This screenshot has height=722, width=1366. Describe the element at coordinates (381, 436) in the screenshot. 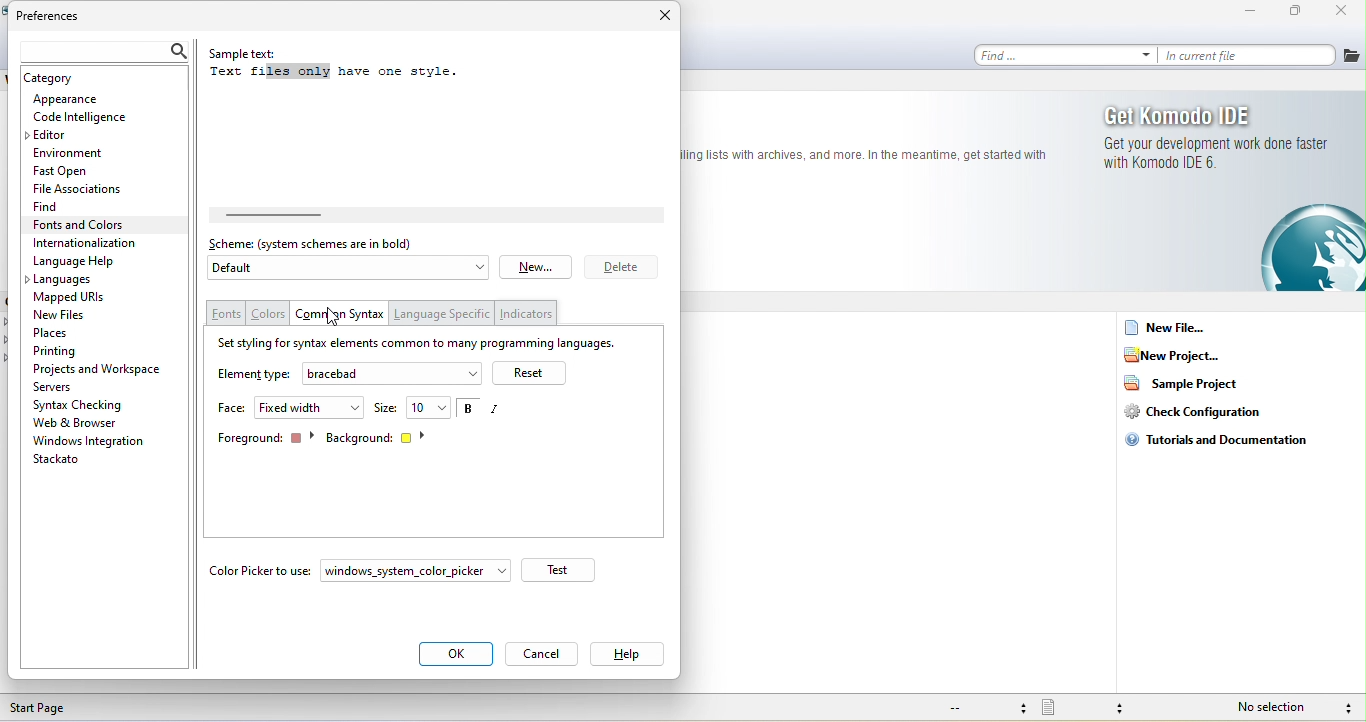

I see `background` at that location.